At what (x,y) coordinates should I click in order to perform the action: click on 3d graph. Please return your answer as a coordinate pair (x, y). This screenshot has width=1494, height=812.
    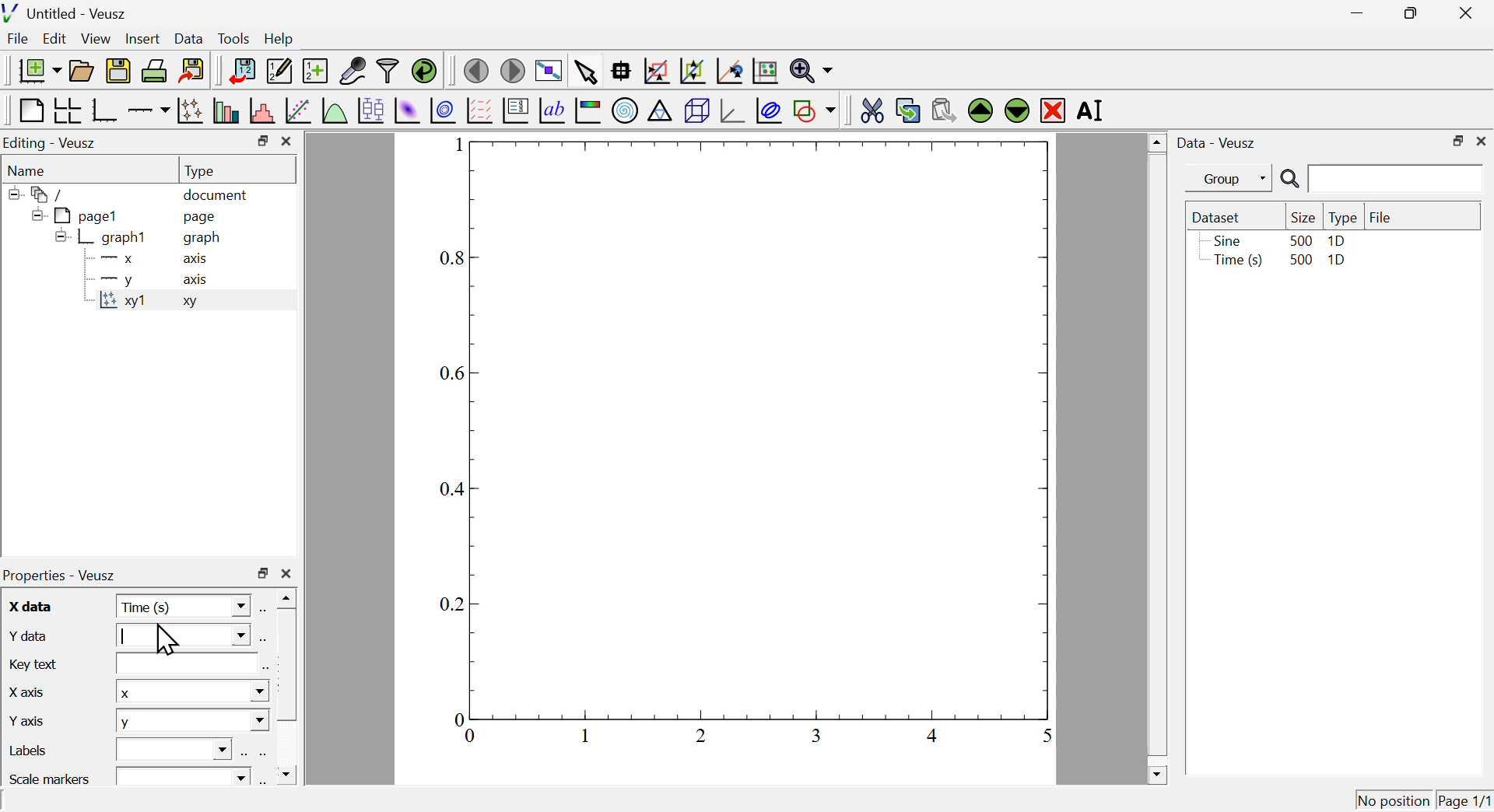
    Looking at the image, I should click on (732, 111).